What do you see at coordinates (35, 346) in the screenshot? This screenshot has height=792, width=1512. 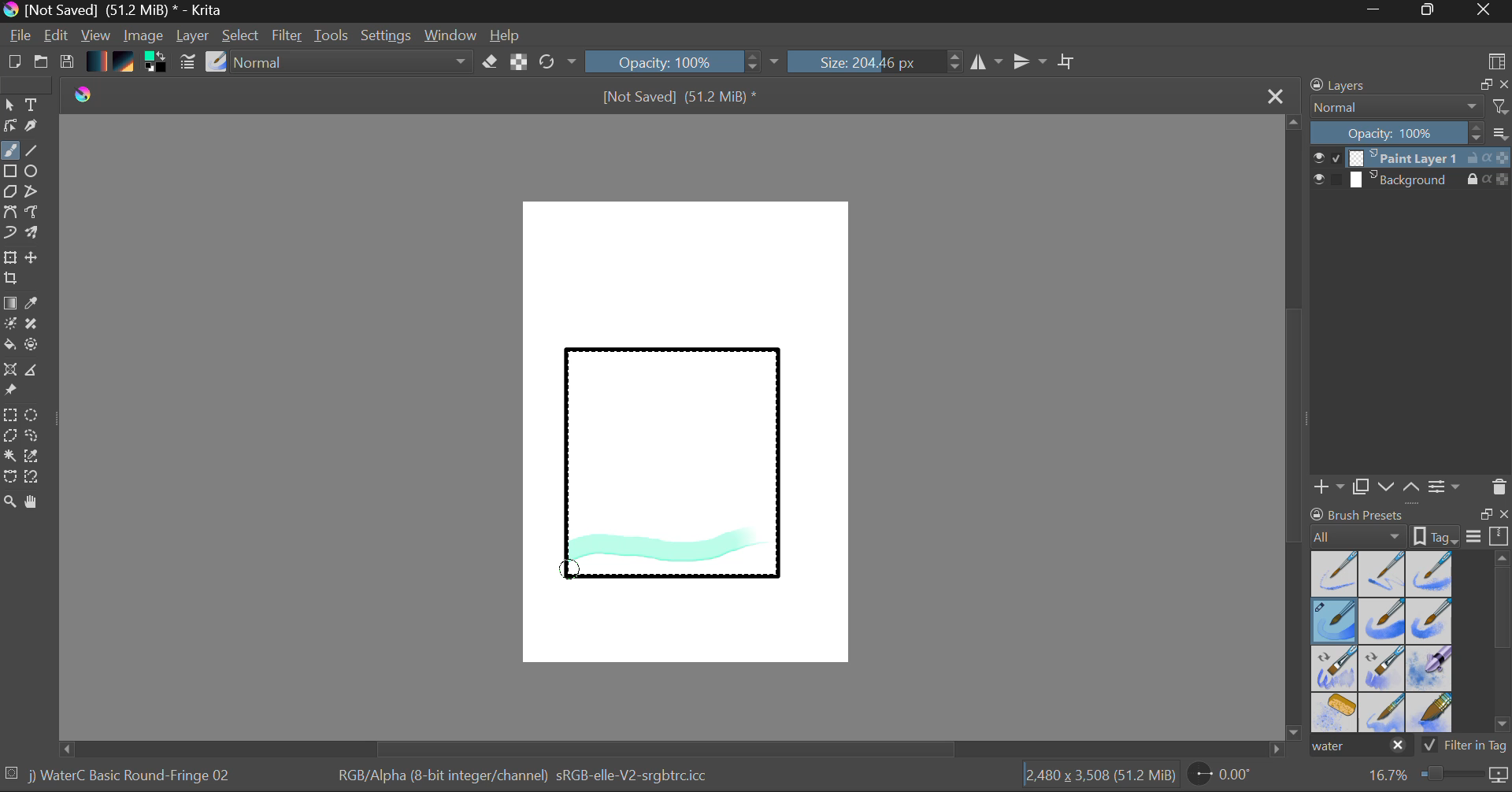 I see `Enclose and Fill` at bounding box center [35, 346].